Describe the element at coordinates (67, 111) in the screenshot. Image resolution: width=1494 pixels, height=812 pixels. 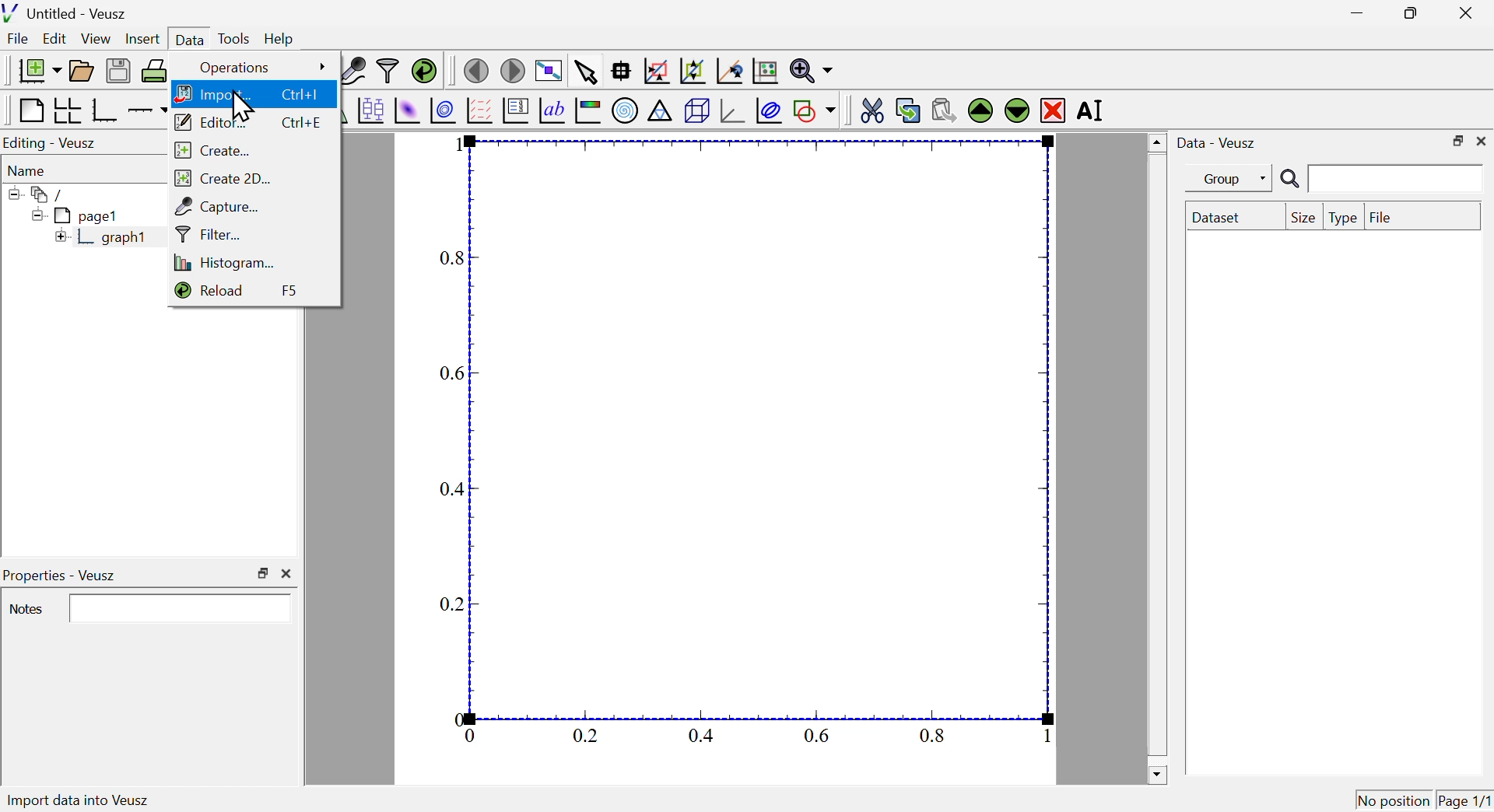
I see `arrange graphs in a grid` at that location.